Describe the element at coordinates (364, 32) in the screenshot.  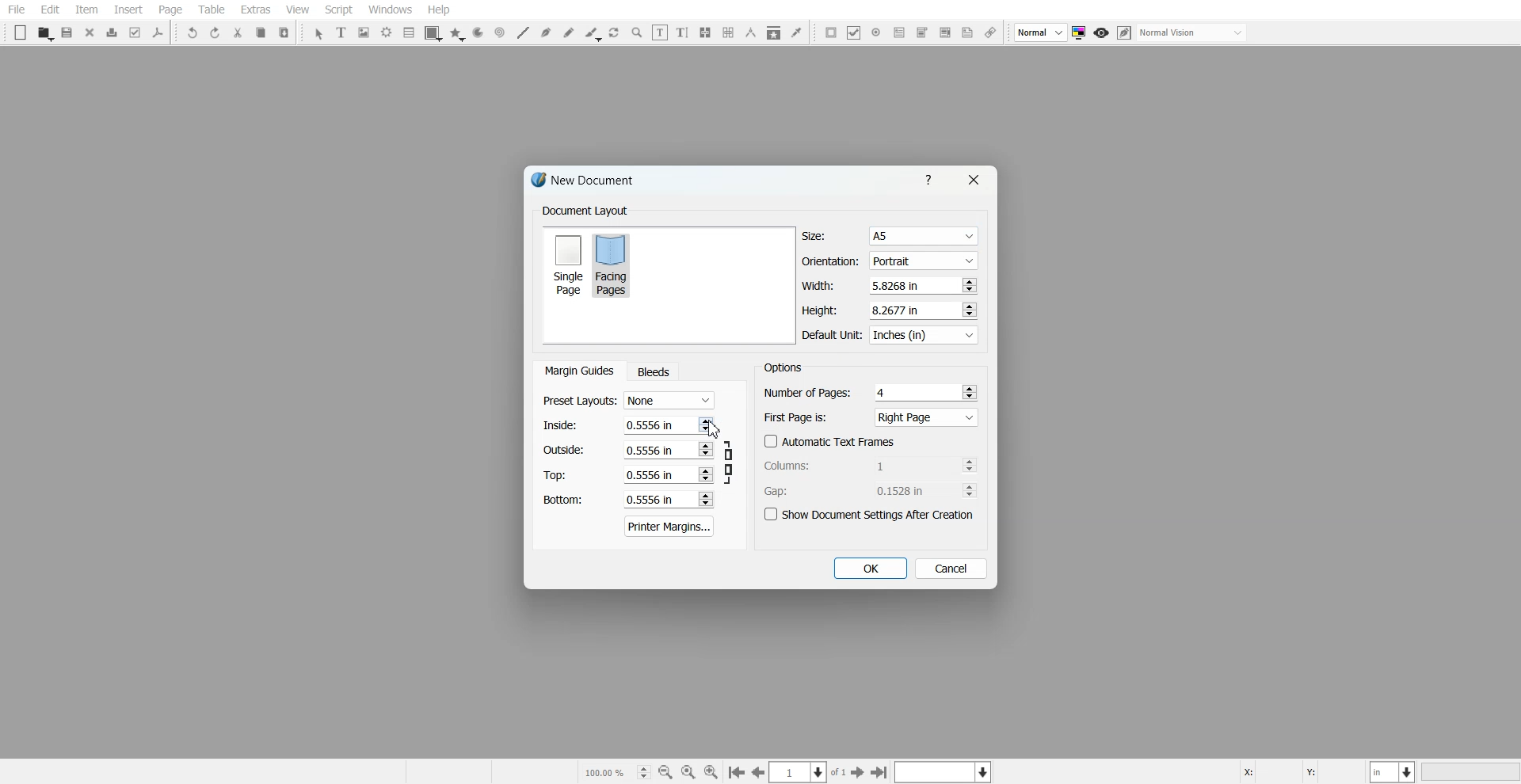
I see `Image Frame` at that location.